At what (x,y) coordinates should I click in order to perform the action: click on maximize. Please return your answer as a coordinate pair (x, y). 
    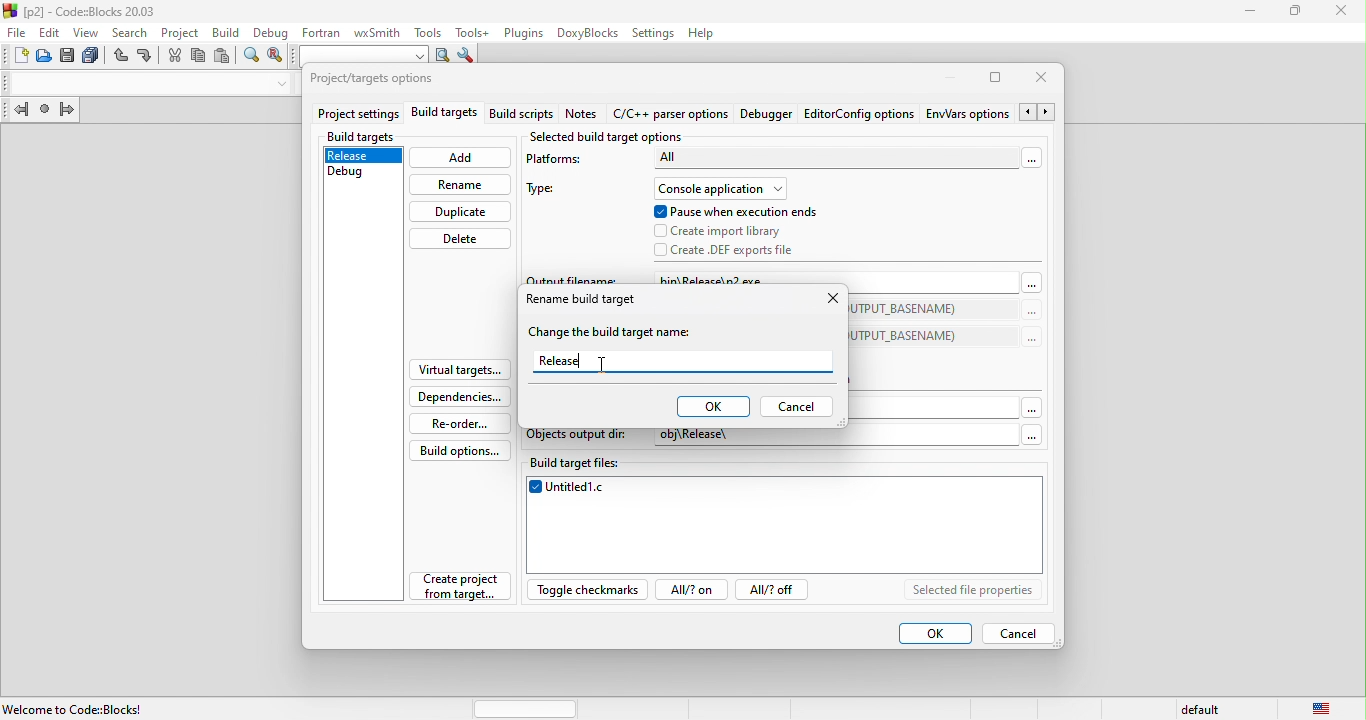
    Looking at the image, I should click on (996, 81).